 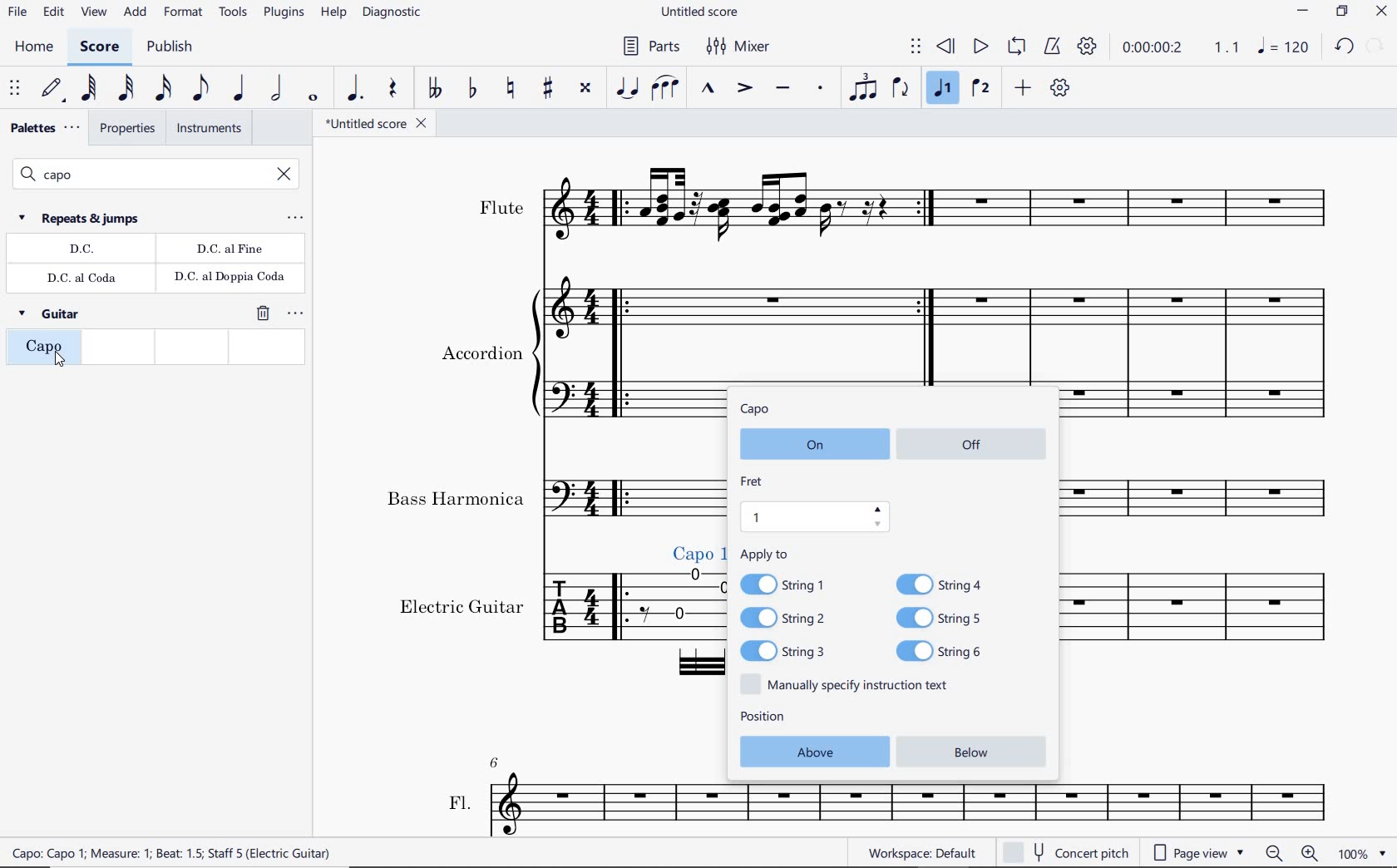 I want to click on rest, so click(x=392, y=91).